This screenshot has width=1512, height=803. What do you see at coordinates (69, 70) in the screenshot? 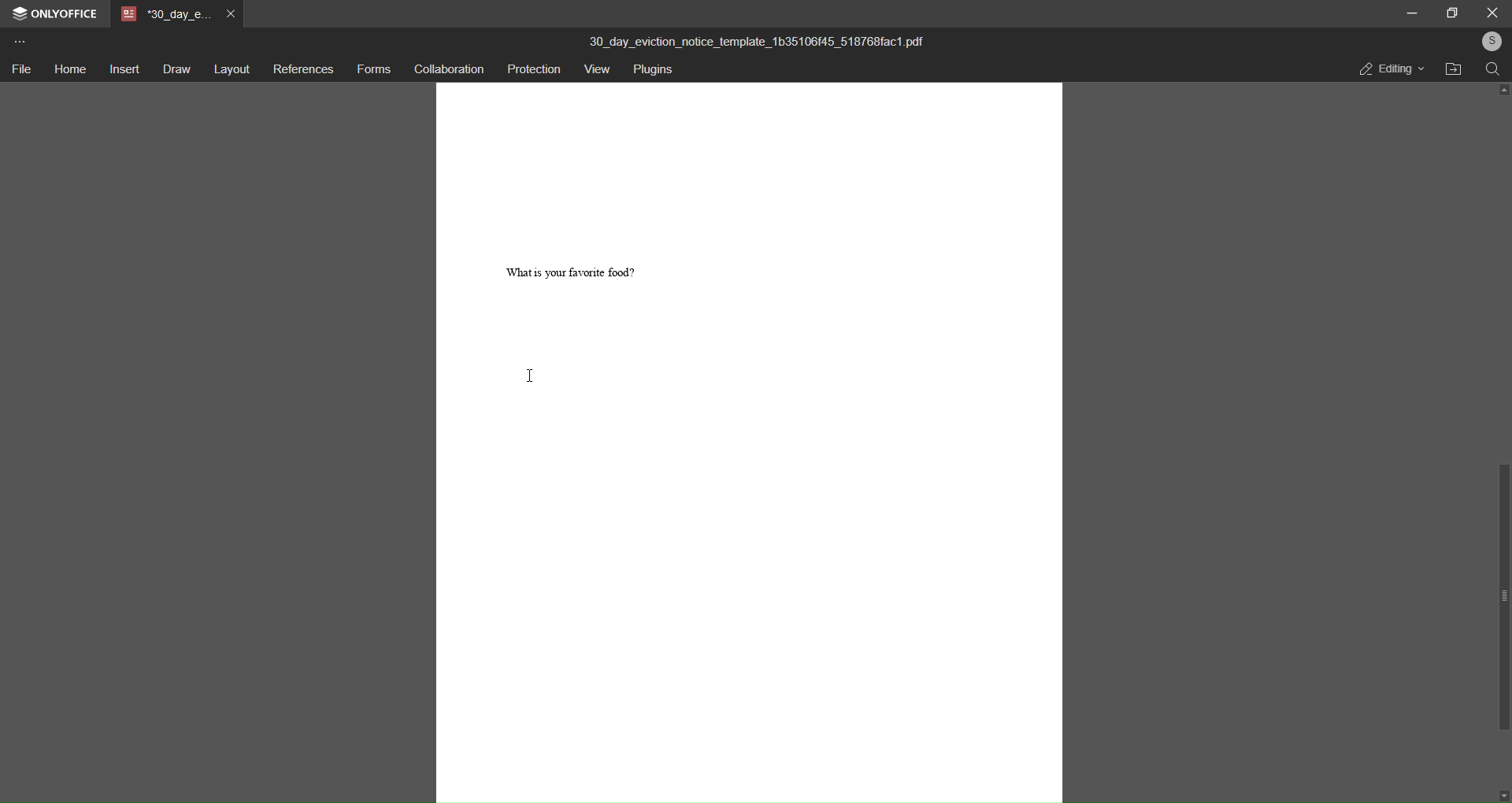
I see `home` at bounding box center [69, 70].